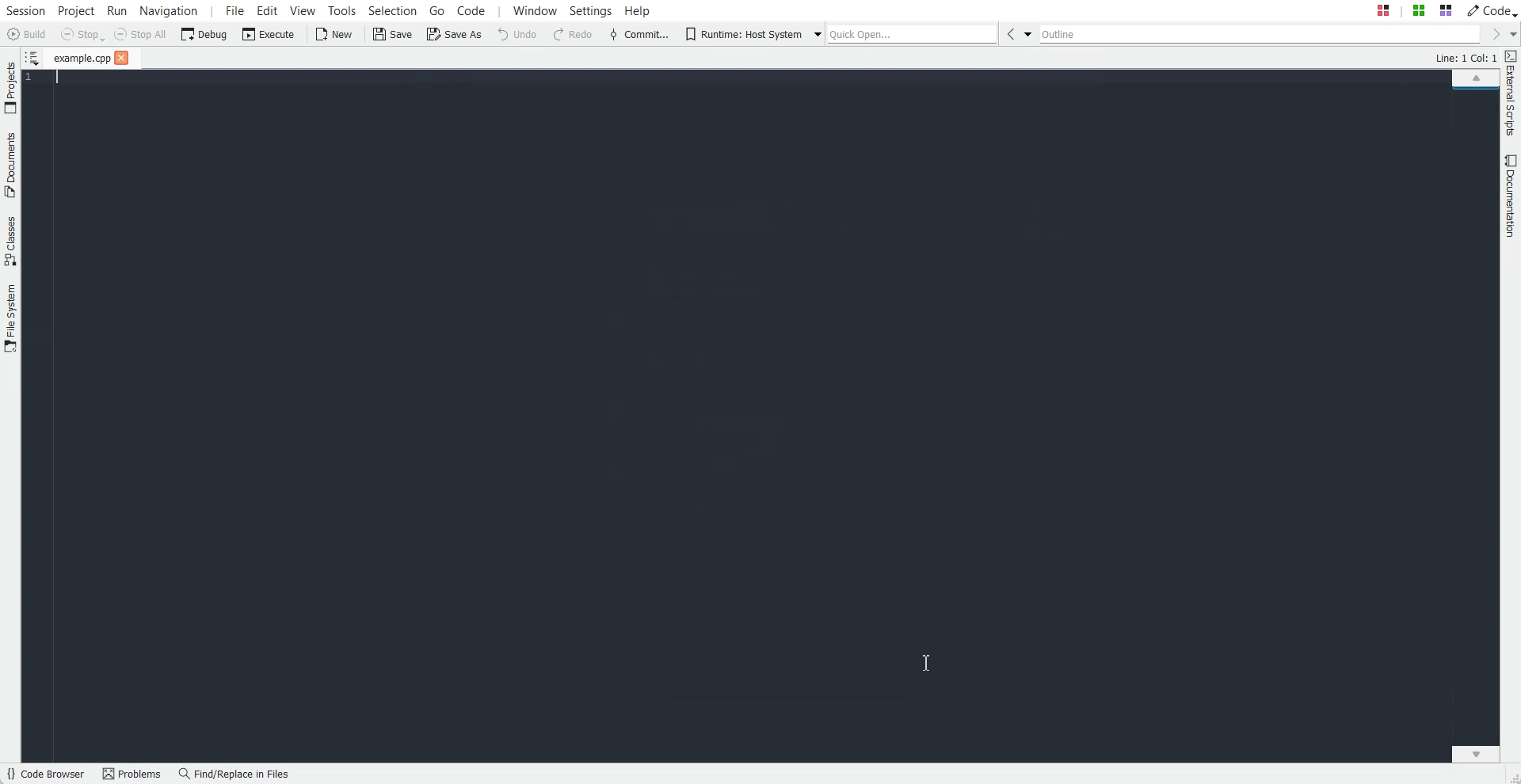  What do you see at coordinates (816, 35) in the screenshot?
I see `Drop down box` at bounding box center [816, 35].